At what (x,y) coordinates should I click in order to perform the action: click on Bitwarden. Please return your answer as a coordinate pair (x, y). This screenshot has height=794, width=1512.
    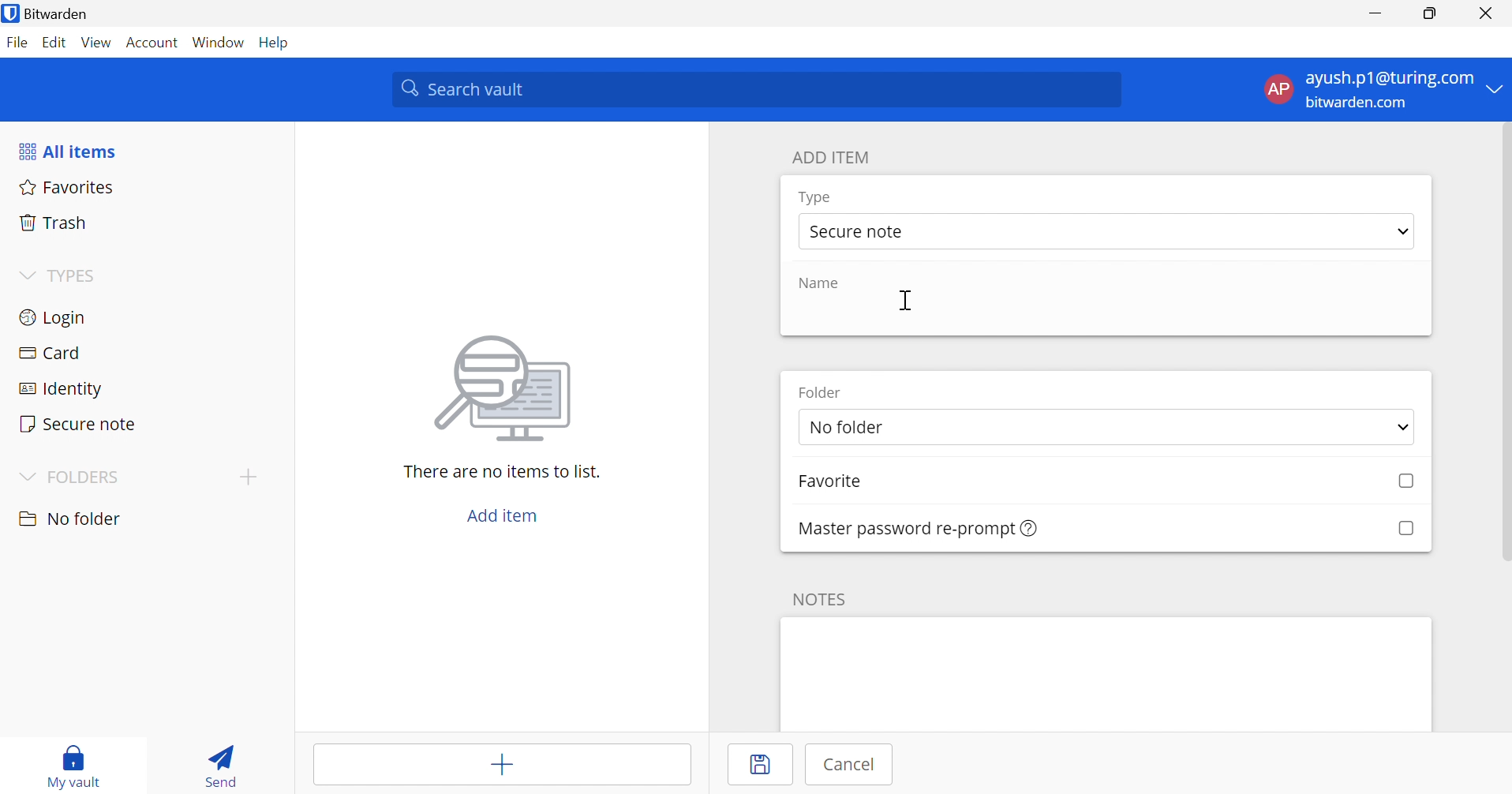
    Looking at the image, I should click on (68, 14).